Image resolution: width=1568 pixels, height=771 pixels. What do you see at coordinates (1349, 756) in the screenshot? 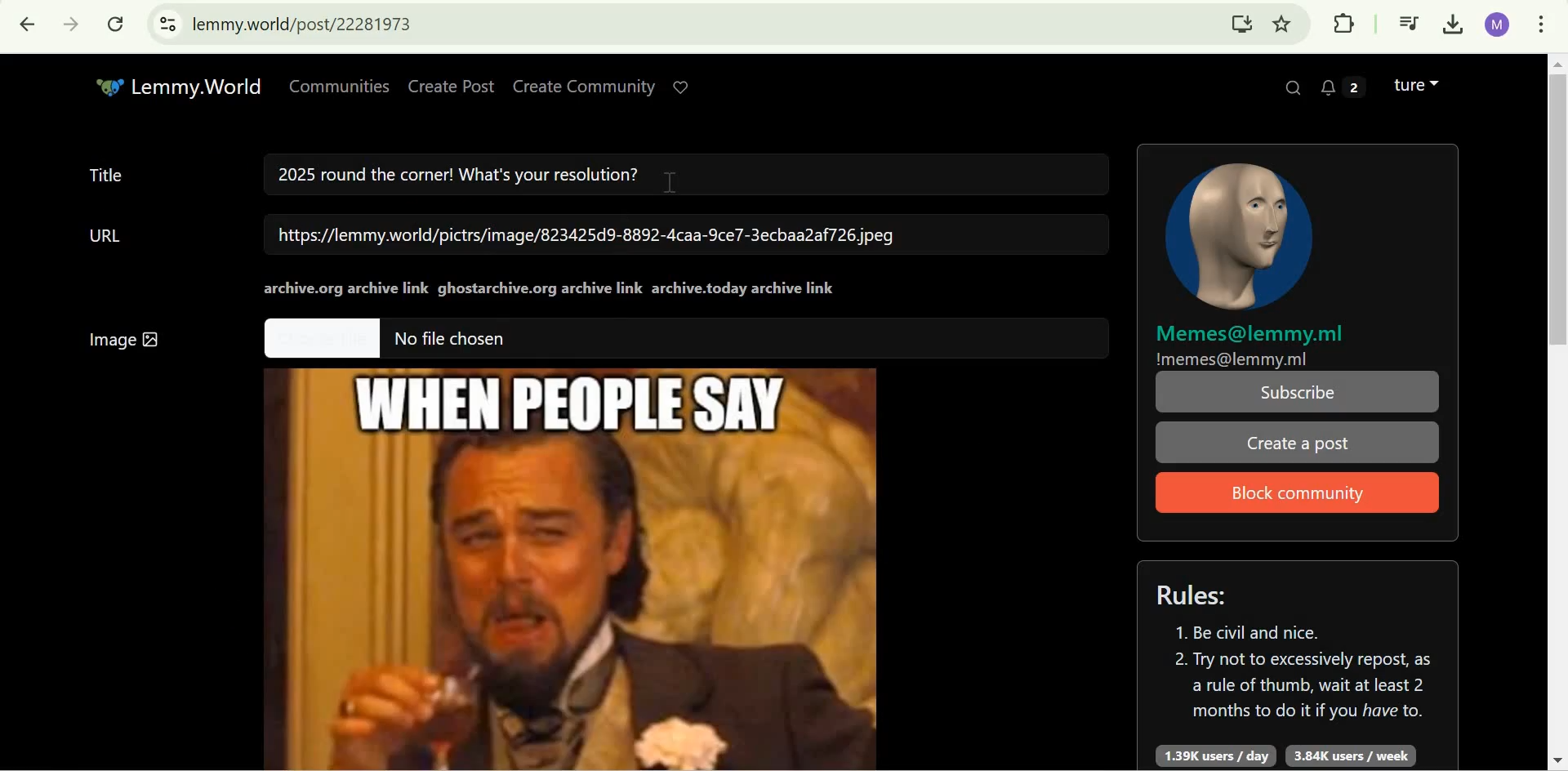
I see `3.84K users/week` at bounding box center [1349, 756].